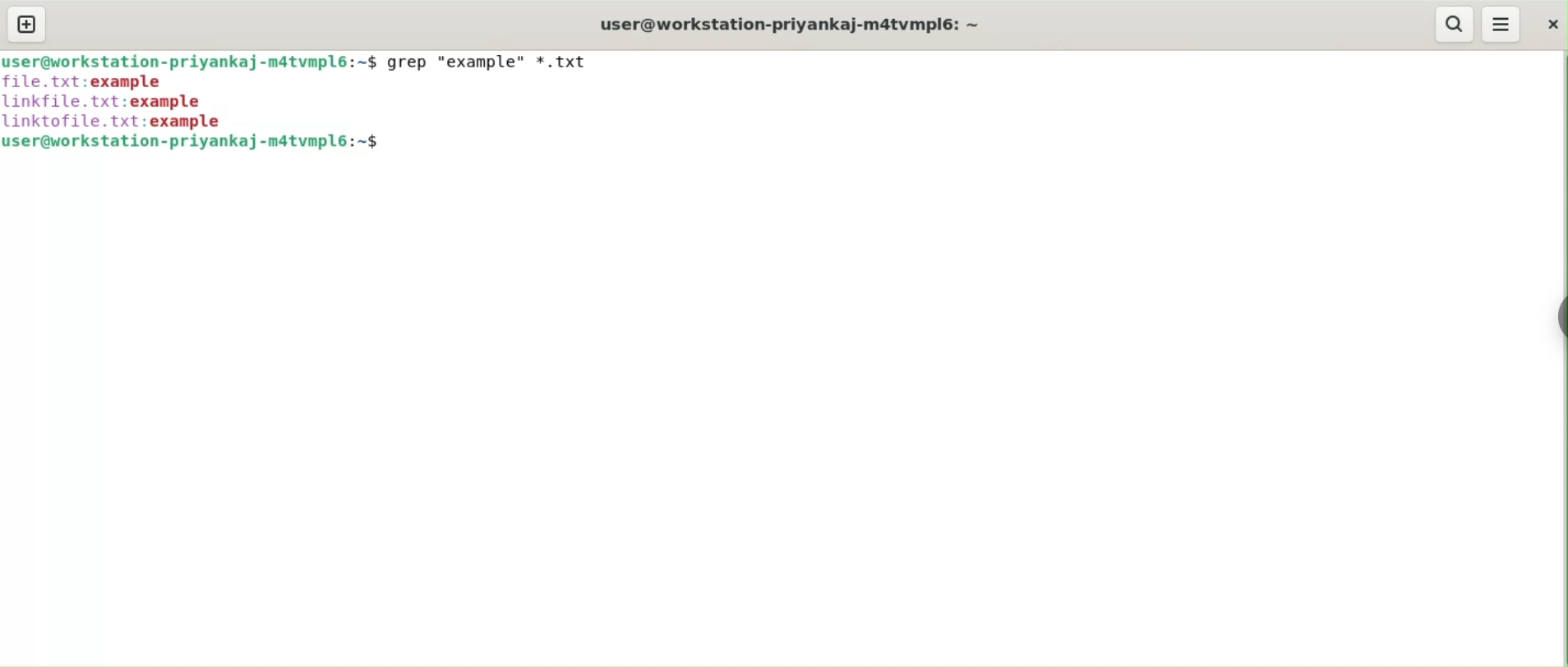  Describe the element at coordinates (1455, 23) in the screenshot. I see `search` at that location.